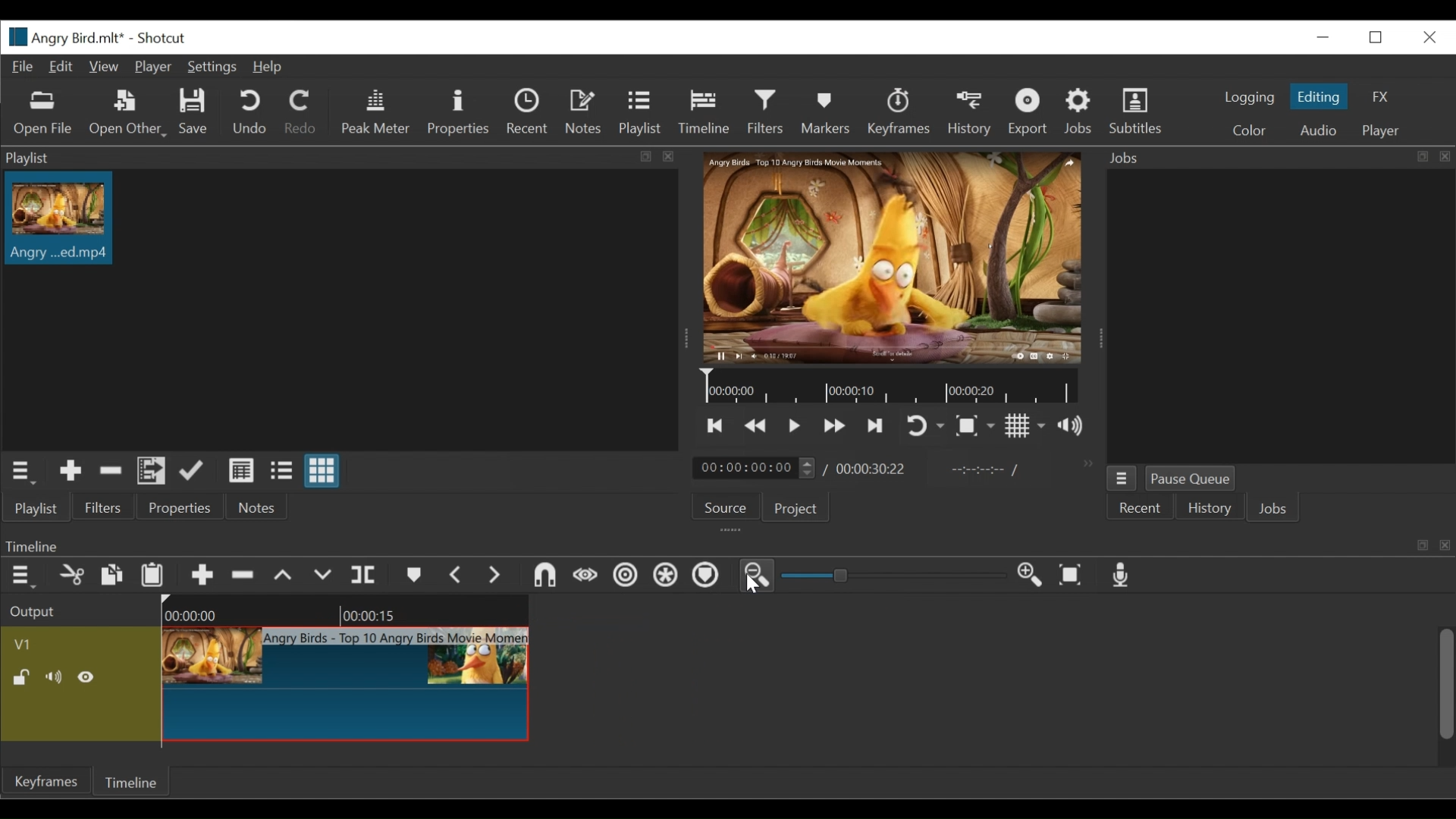  Describe the element at coordinates (798, 426) in the screenshot. I see `Toggle play or pause` at that location.